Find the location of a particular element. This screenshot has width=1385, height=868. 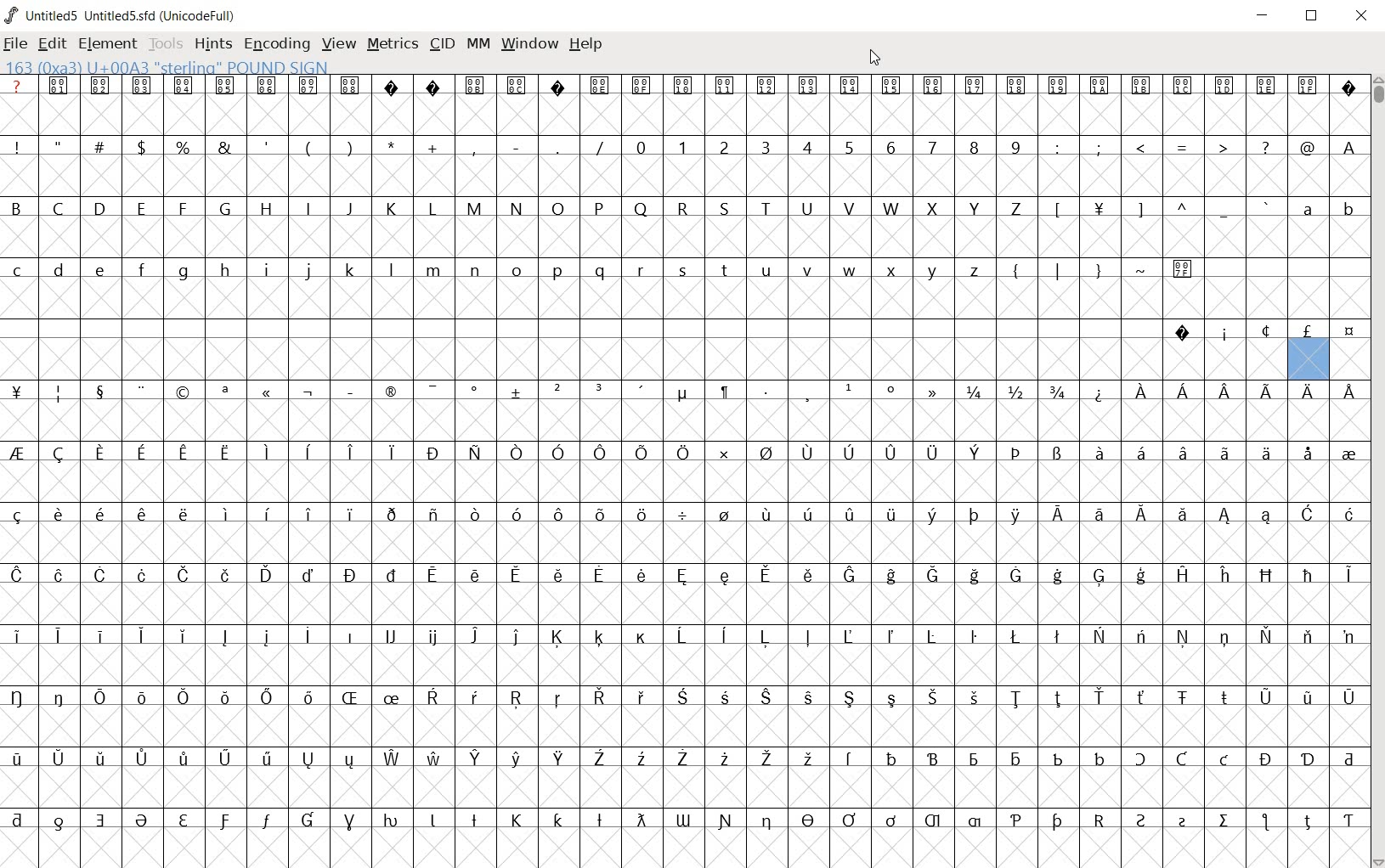

Symbol is located at coordinates (1225, 760).